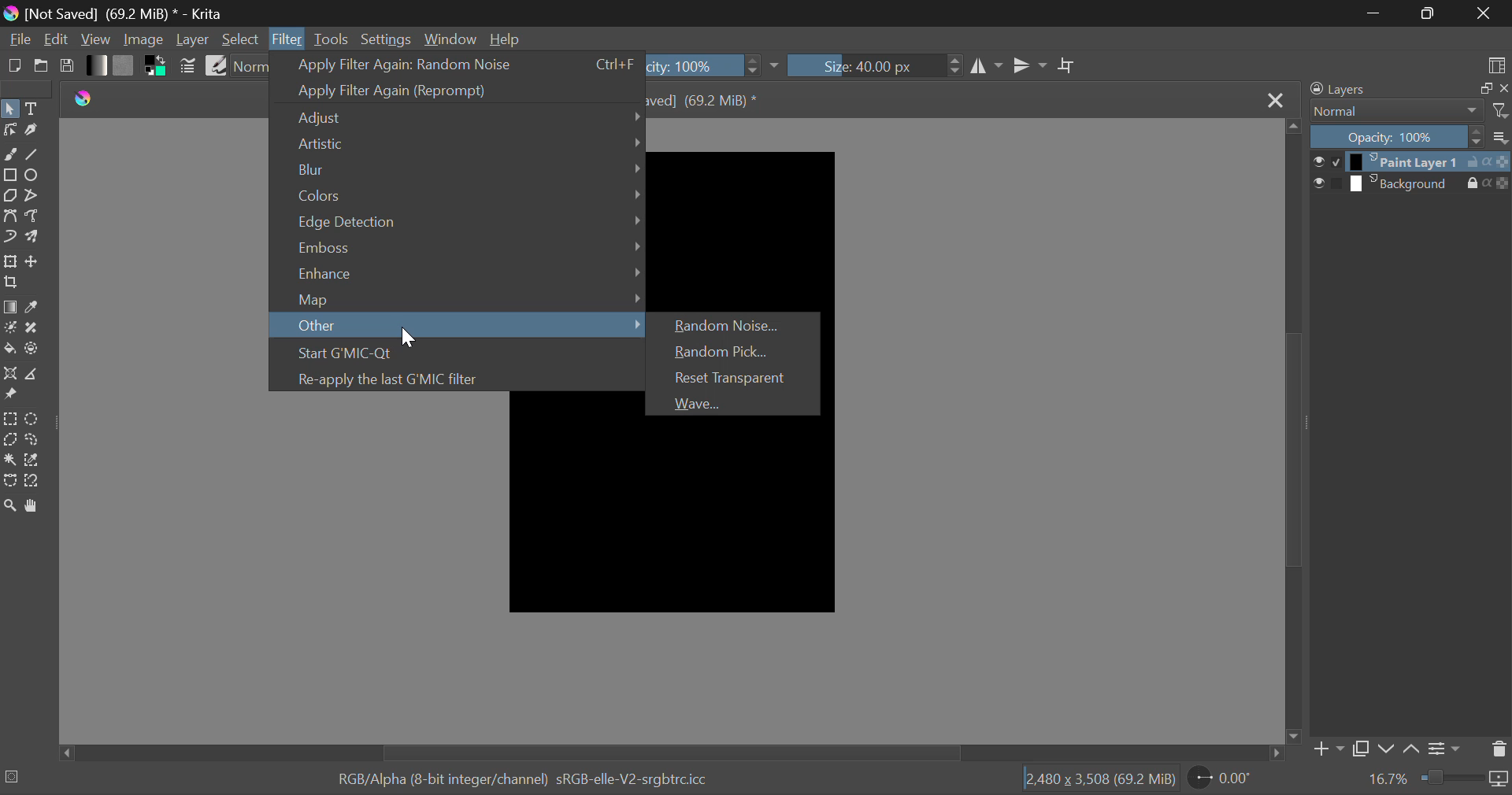 The height and width of the screenshot is (795, 1512). I want to click on Crop, so click(9, 283).